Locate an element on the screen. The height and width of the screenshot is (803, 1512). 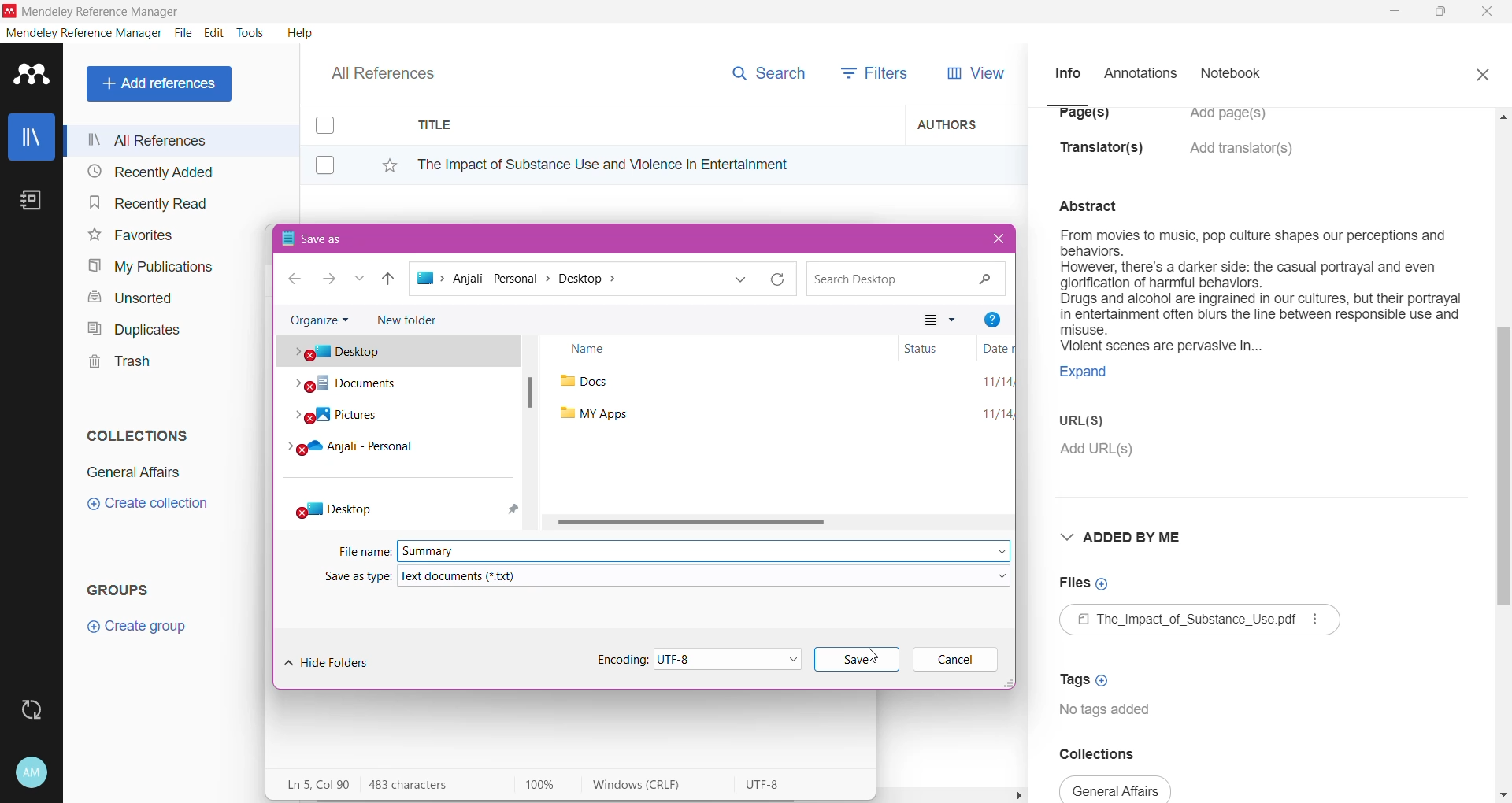
Line, Column of the pasted text area on the Notepad is located at coordinates (317, 784).